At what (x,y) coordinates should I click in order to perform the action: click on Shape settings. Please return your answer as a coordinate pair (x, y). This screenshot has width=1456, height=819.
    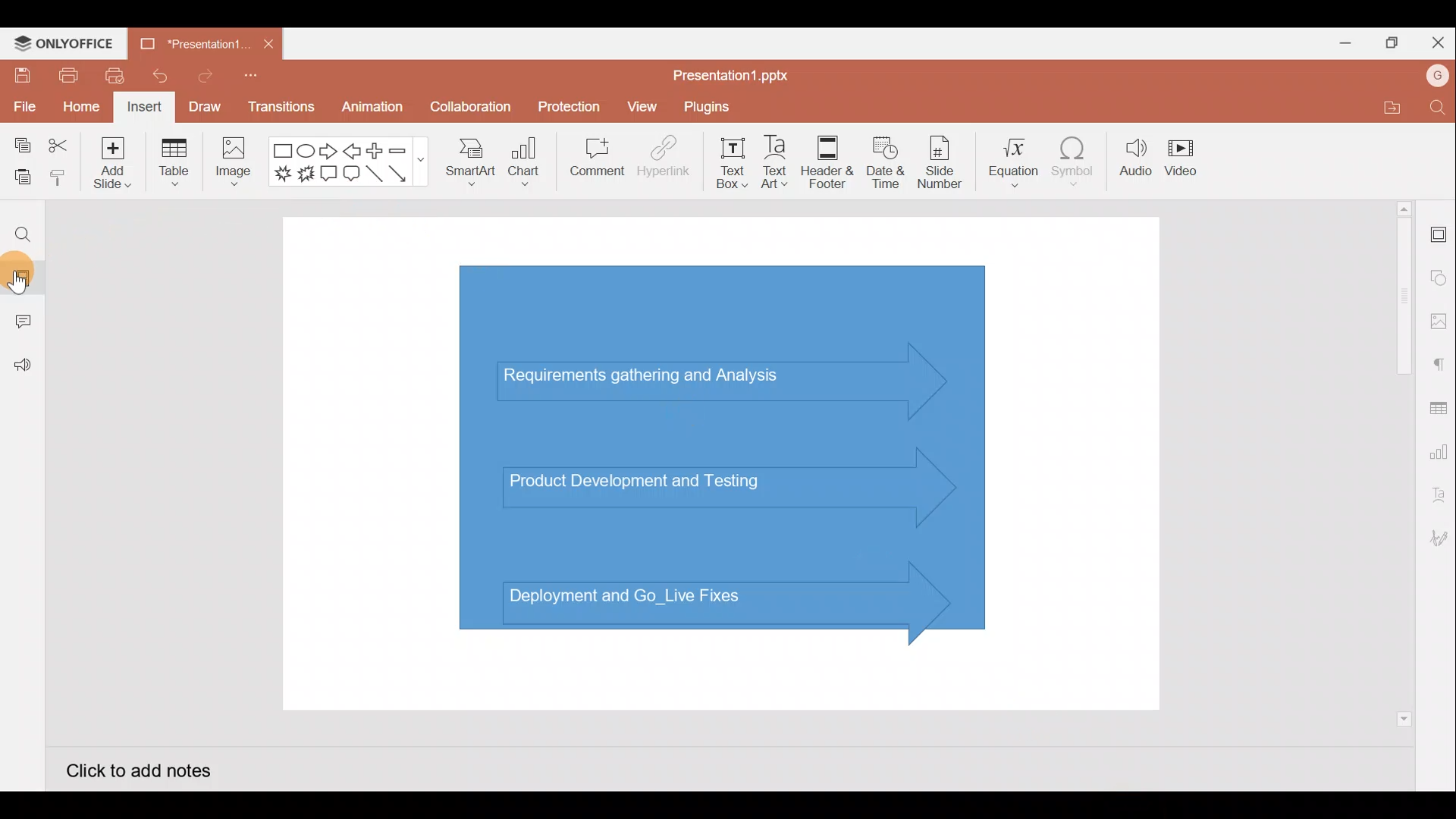
    Looking at the image, I should click on (1439, 272).